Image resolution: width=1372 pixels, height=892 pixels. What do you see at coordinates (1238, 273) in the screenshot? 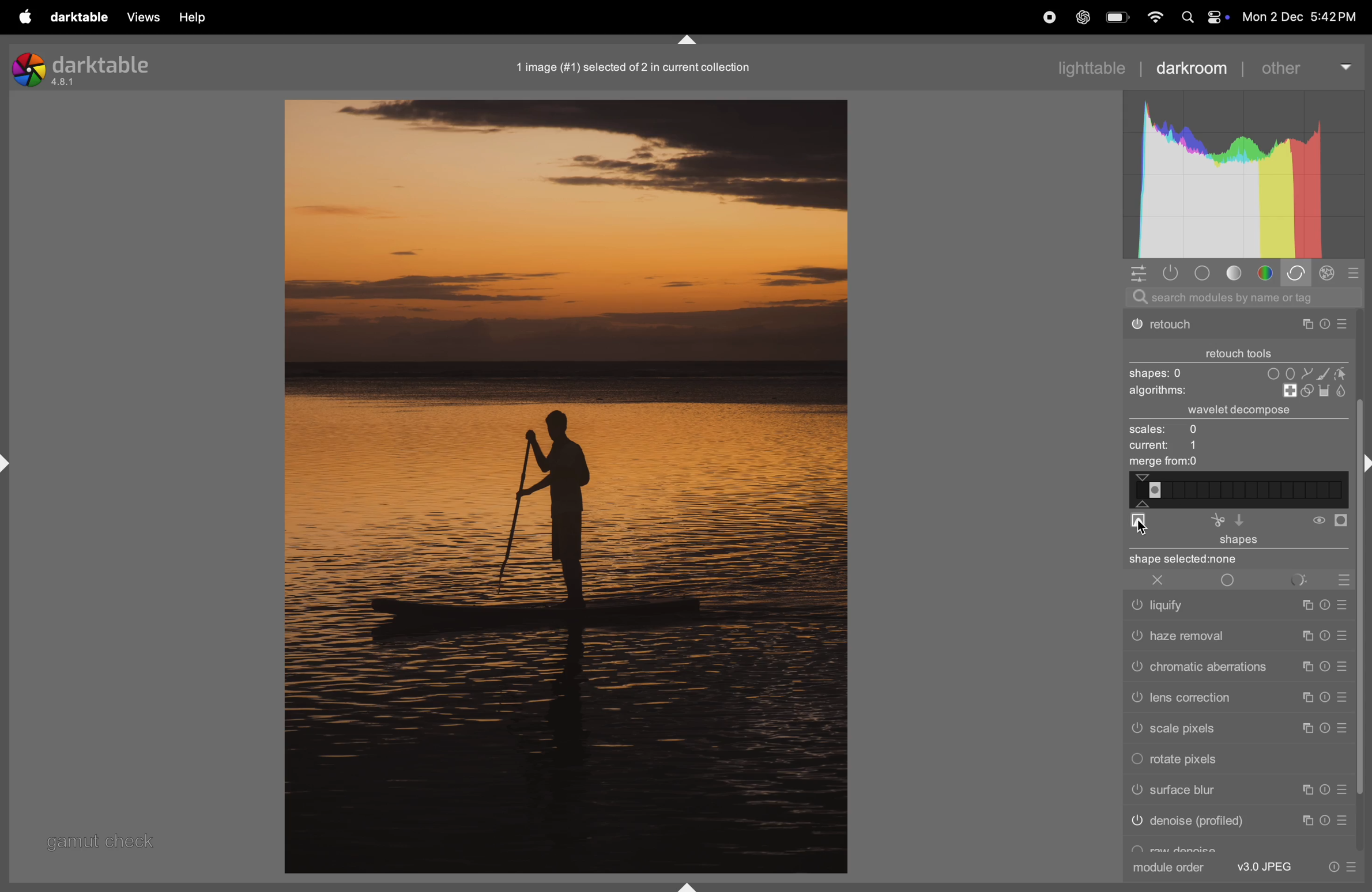
I see `tones` at bounding box center [1238, 273].